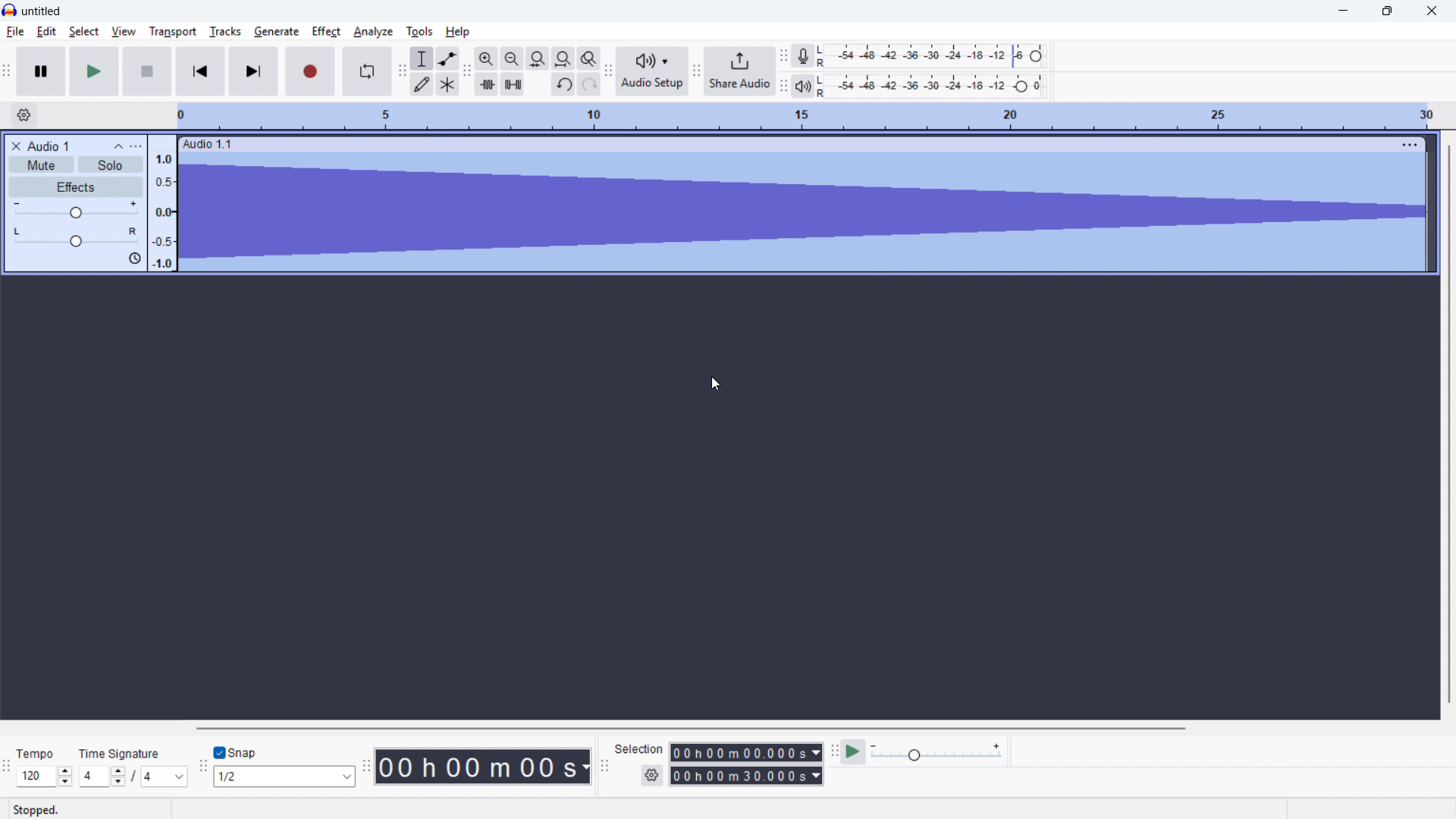  Describe the element at coordinates (486, 58) in the screenshot. I see `Zoom in ` at that location.